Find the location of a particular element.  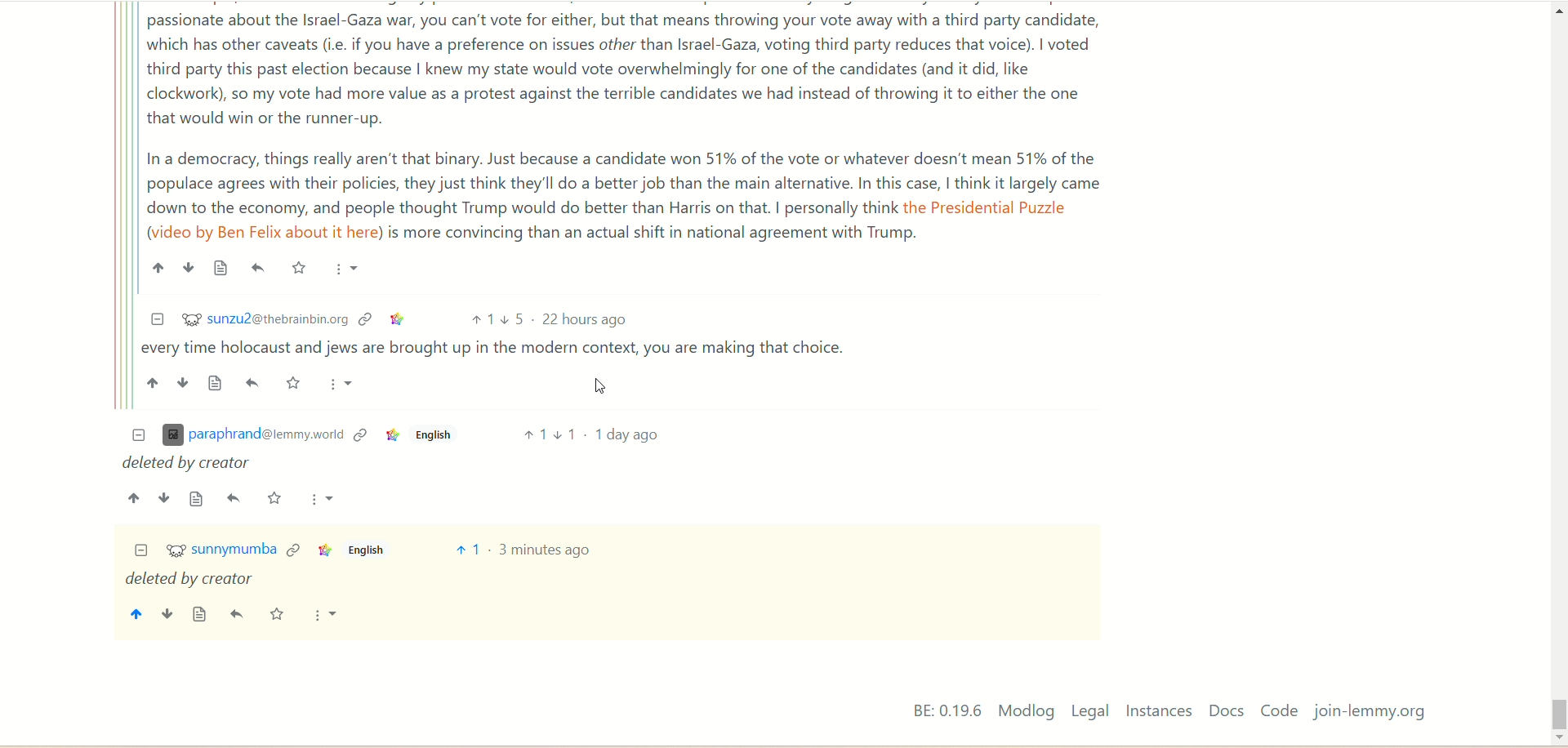

Reply is located at coordinates (255, 383).